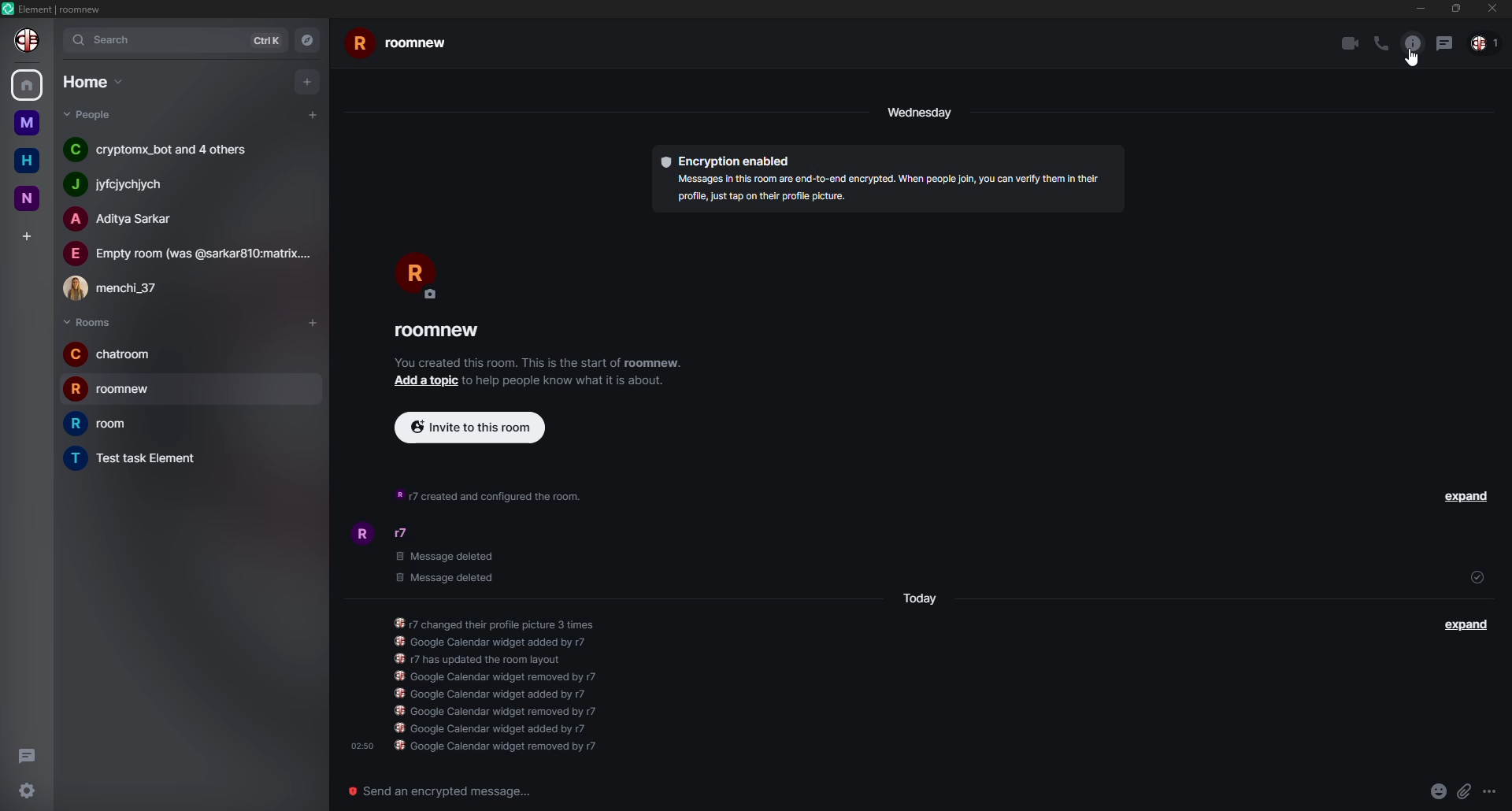 The height and width of the screenshot is (811, 1512). What do you see at coordinates (1414, 58) in the screenshot?
I see `cursor` at bounding box center [1414, 58].